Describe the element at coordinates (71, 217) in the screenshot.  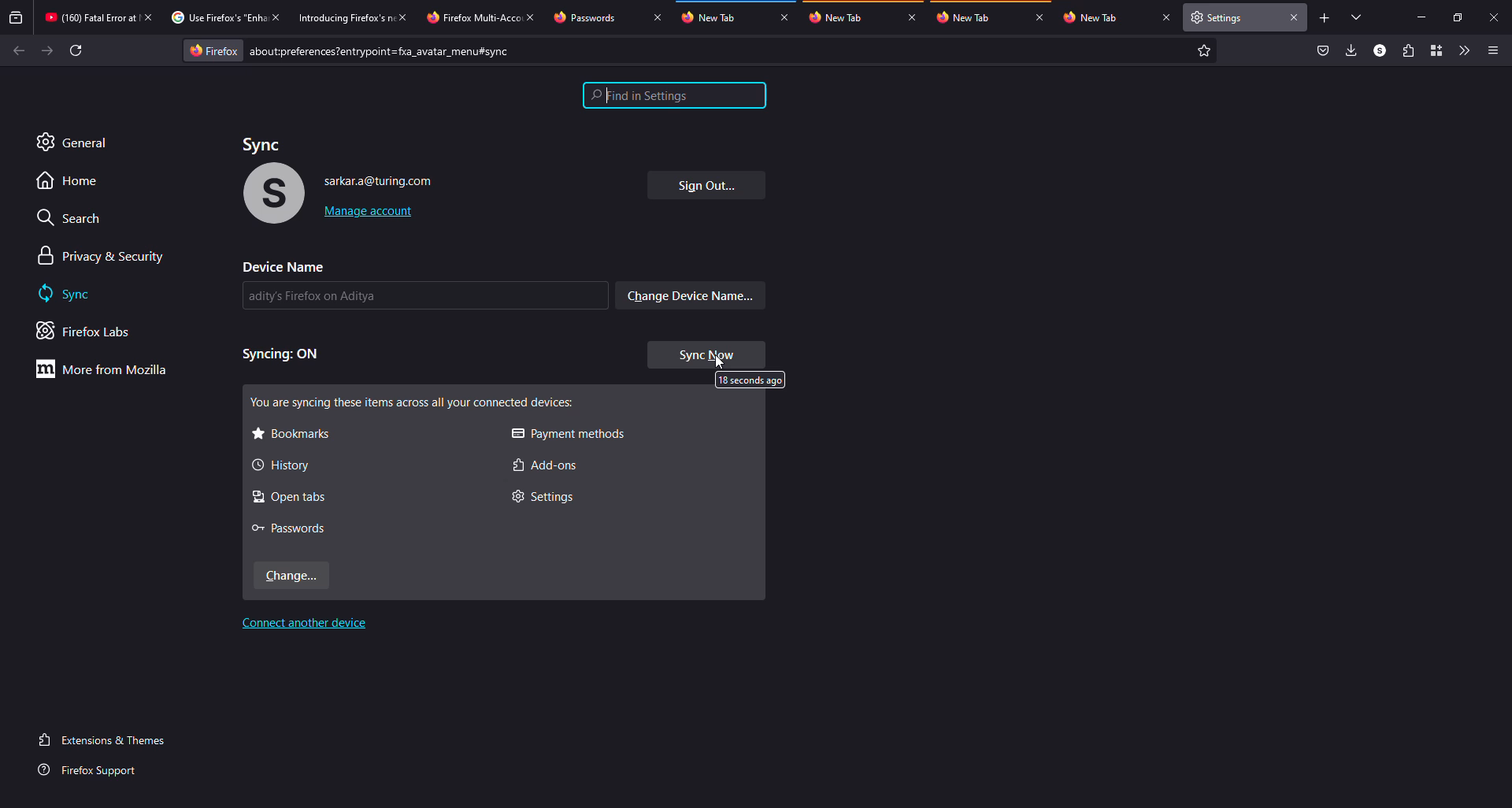
I see `search` at that location.